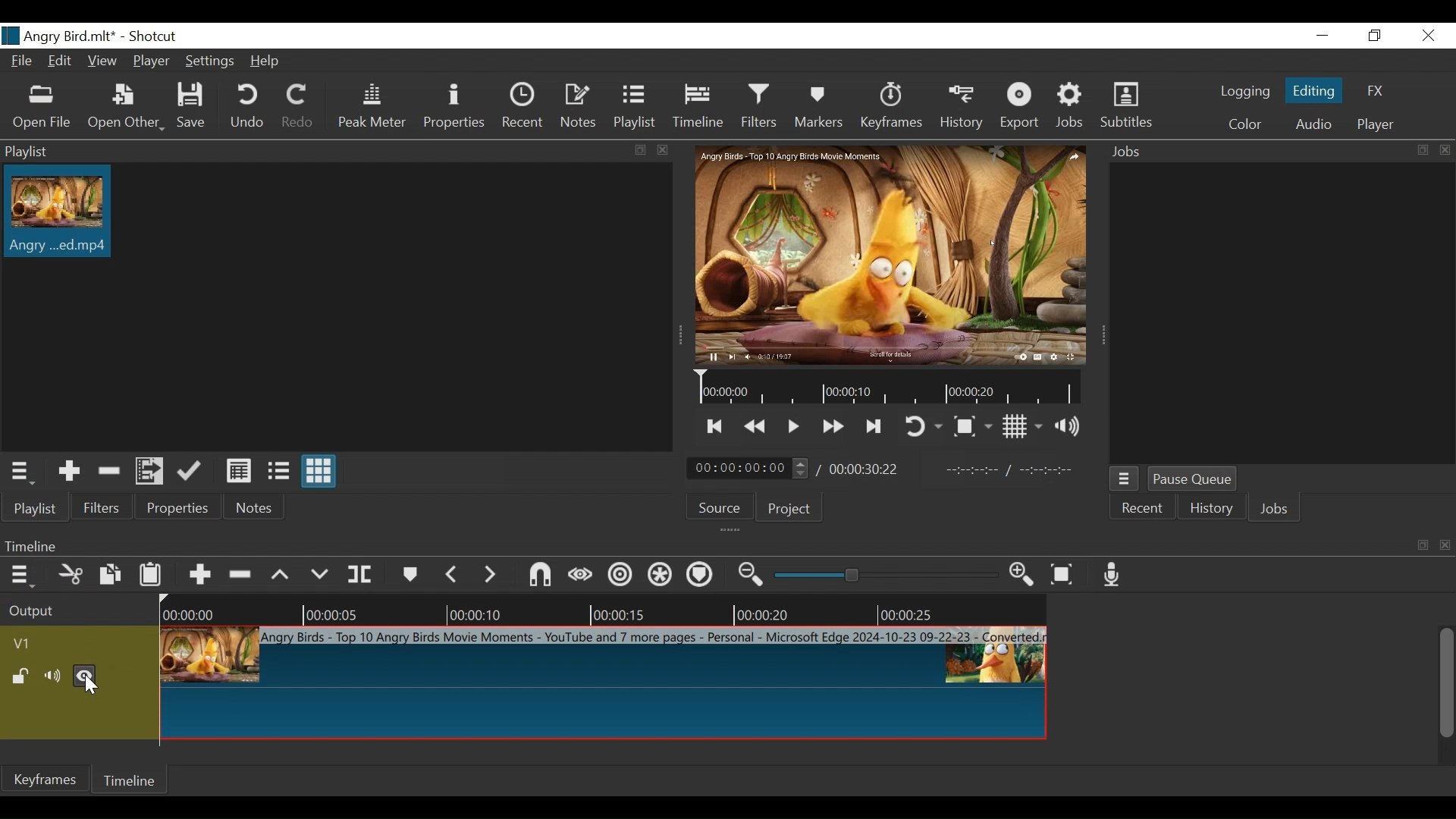 This screenshot has width=1456, height=819. I want to click on close, so click(1429, 35).